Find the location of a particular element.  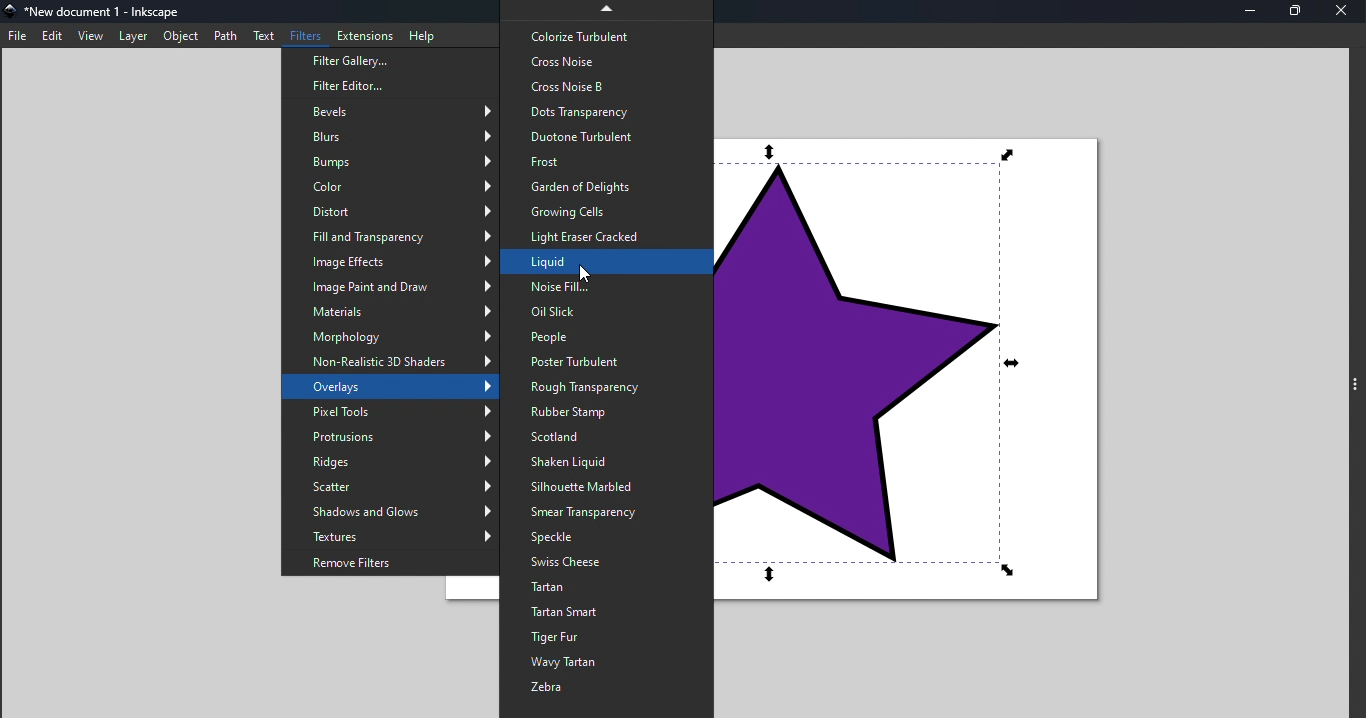

Filters is located at coordinates (303, 35).